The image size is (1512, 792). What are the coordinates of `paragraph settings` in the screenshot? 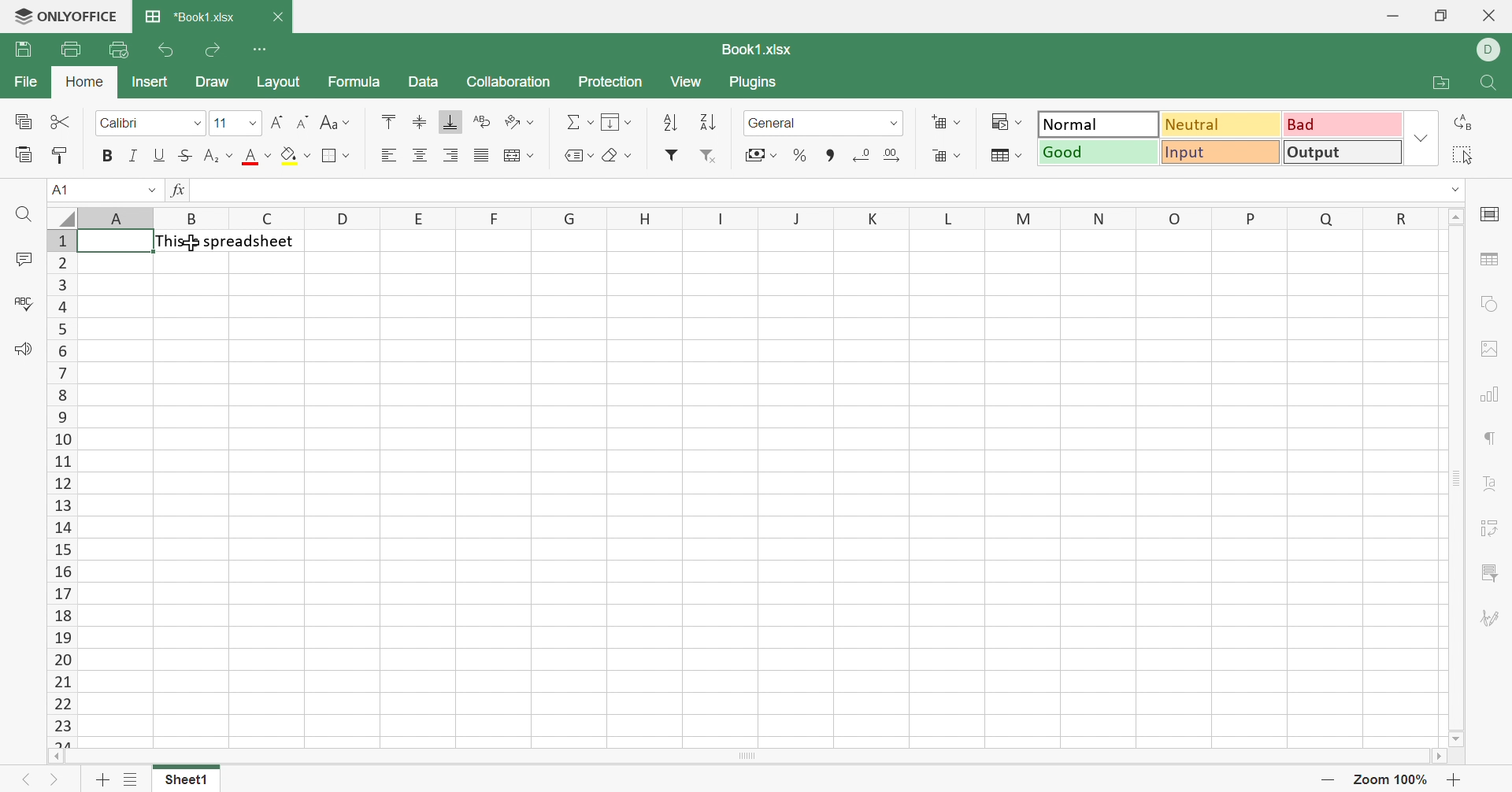 It's located at (1492, 437).